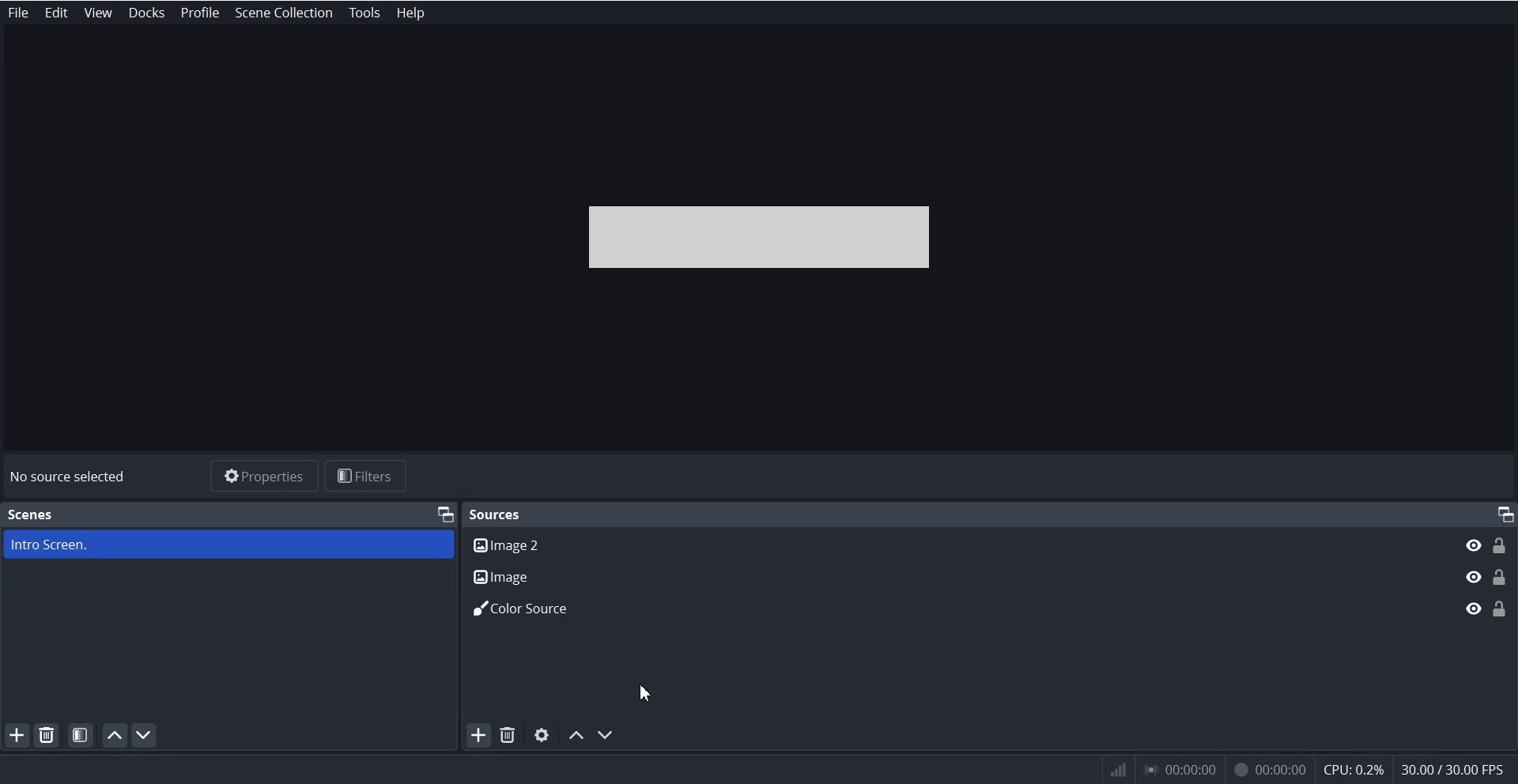 Image resolution: width=1518 pixels, height=784 pixels. What do you see at coordinates (30, 514) in the screenshot?
I see `Scenes` at bounding box center [30, 514].